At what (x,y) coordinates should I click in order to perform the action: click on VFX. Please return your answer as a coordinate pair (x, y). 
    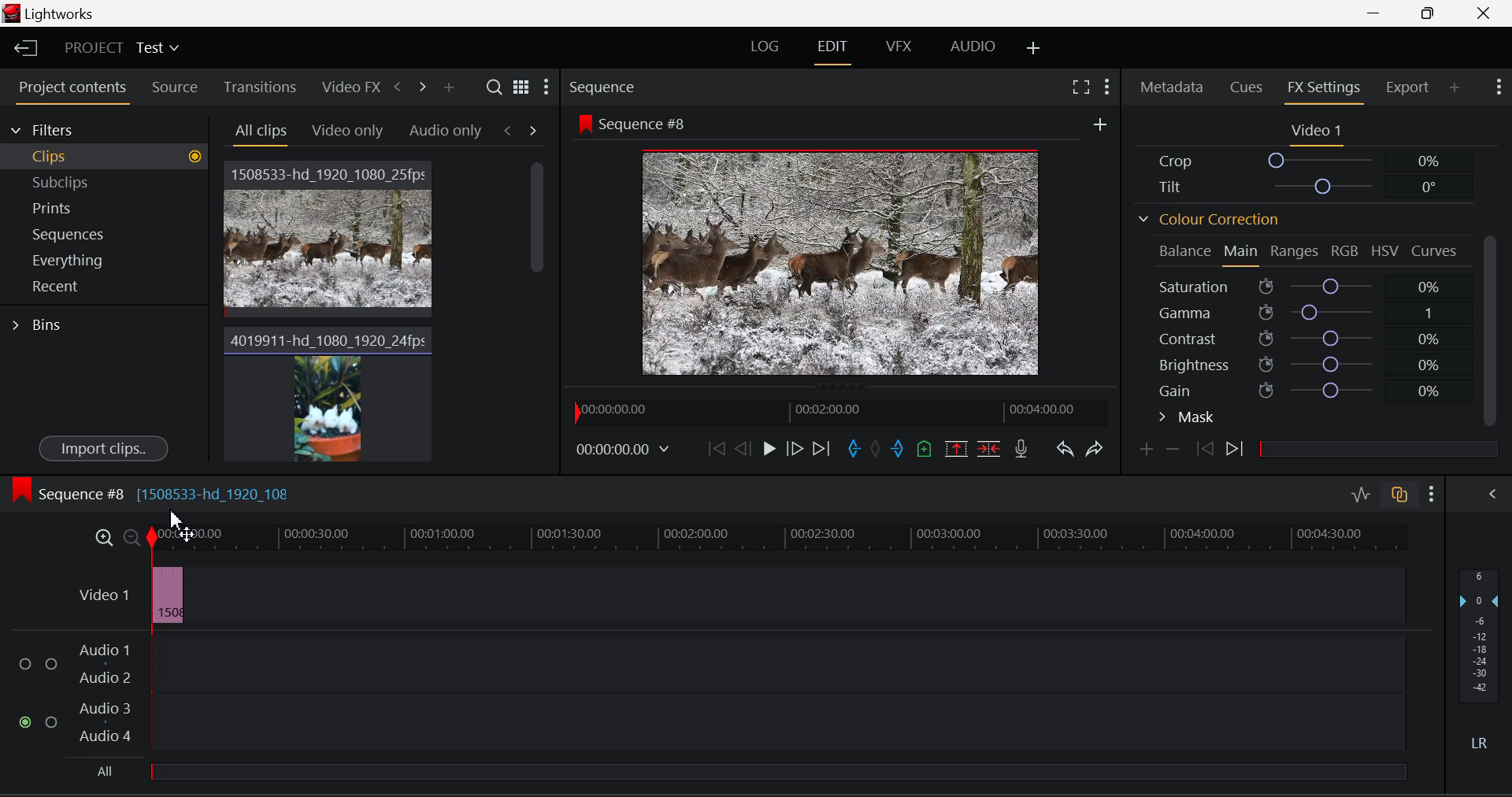
    Looking at the image, I should click on (898, 46).